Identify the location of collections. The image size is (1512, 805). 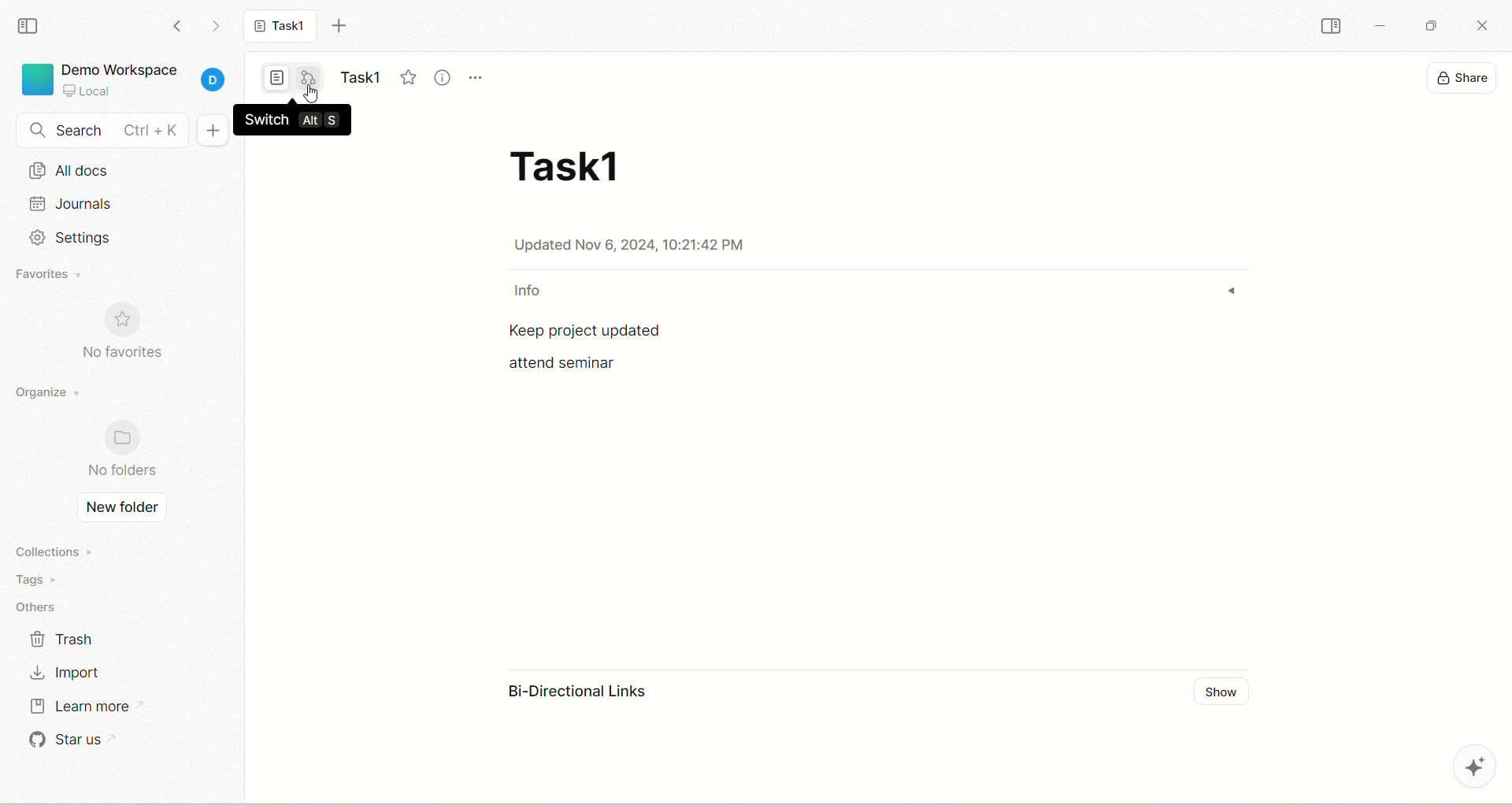
(58, 551).